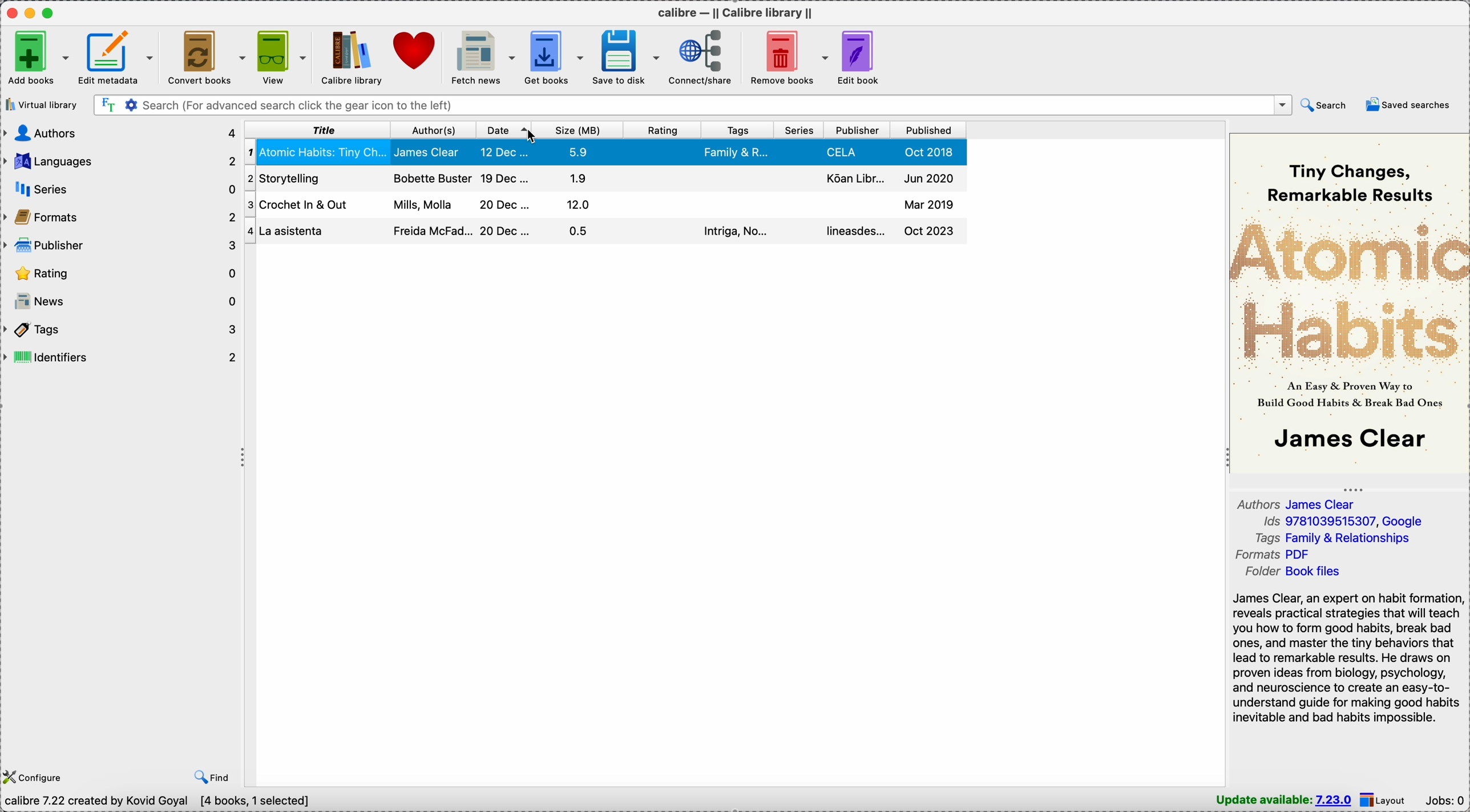 This screenshot has height=812, width=1470. Describe the element at coordinates (349, 56) in the screenshot. I see `Calibre library` at that location.